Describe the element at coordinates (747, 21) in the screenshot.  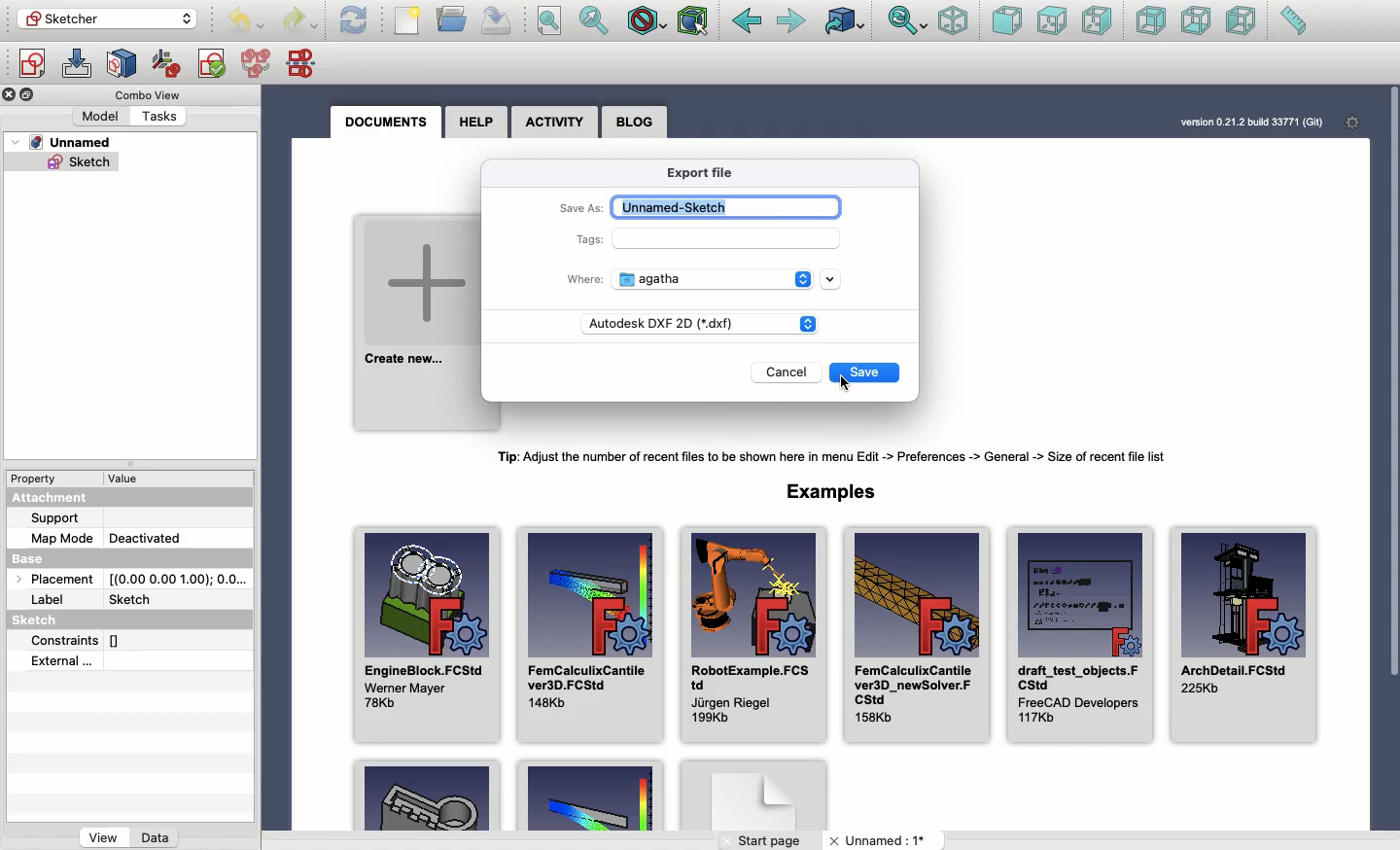
I see `Back` at that location.